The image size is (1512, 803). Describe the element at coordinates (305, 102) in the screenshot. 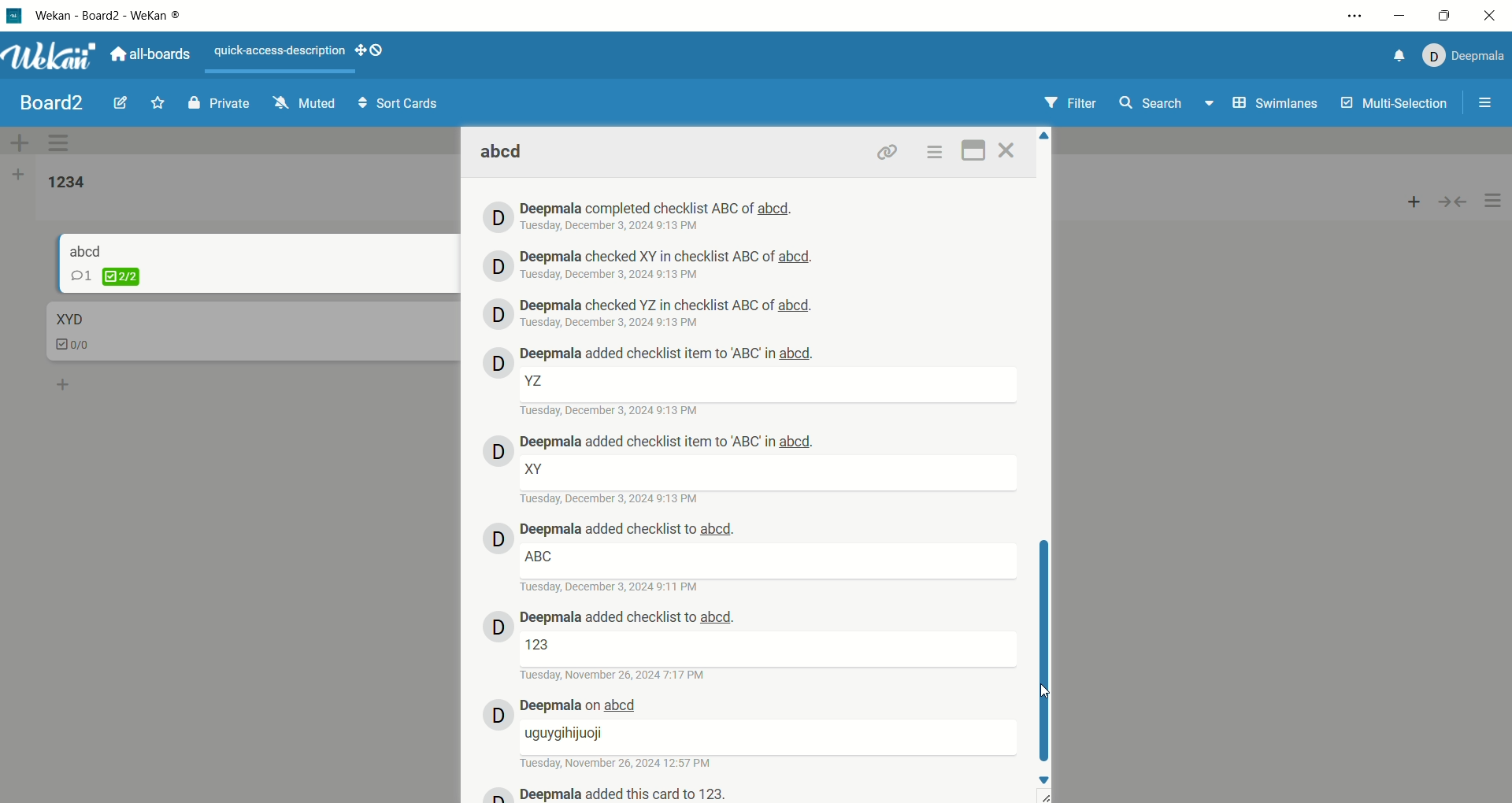

I see `muted` at that location.